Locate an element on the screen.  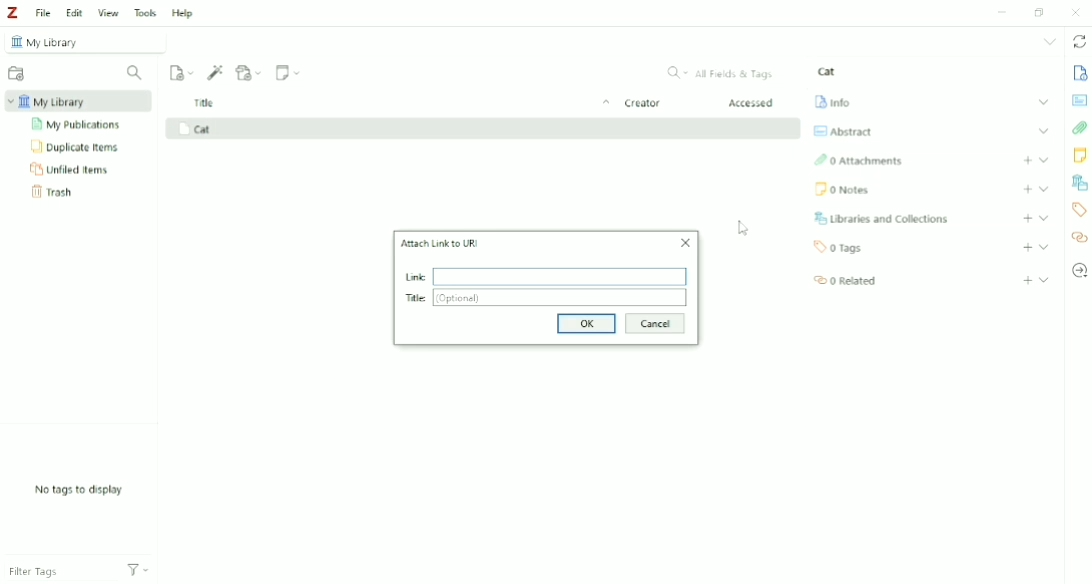
Expand section is located at coordinates (1045, 189).